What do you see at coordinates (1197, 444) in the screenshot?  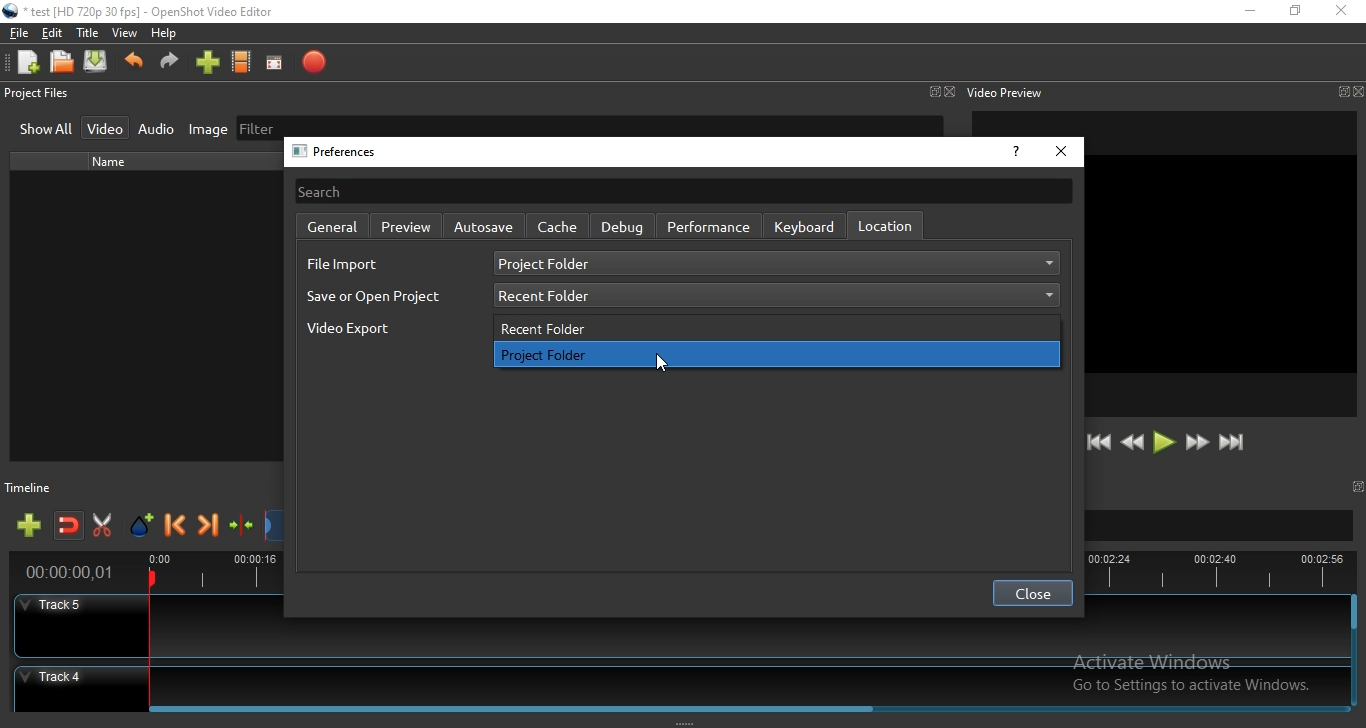 I see `Fast forward` at bounding box center [1197, 444].